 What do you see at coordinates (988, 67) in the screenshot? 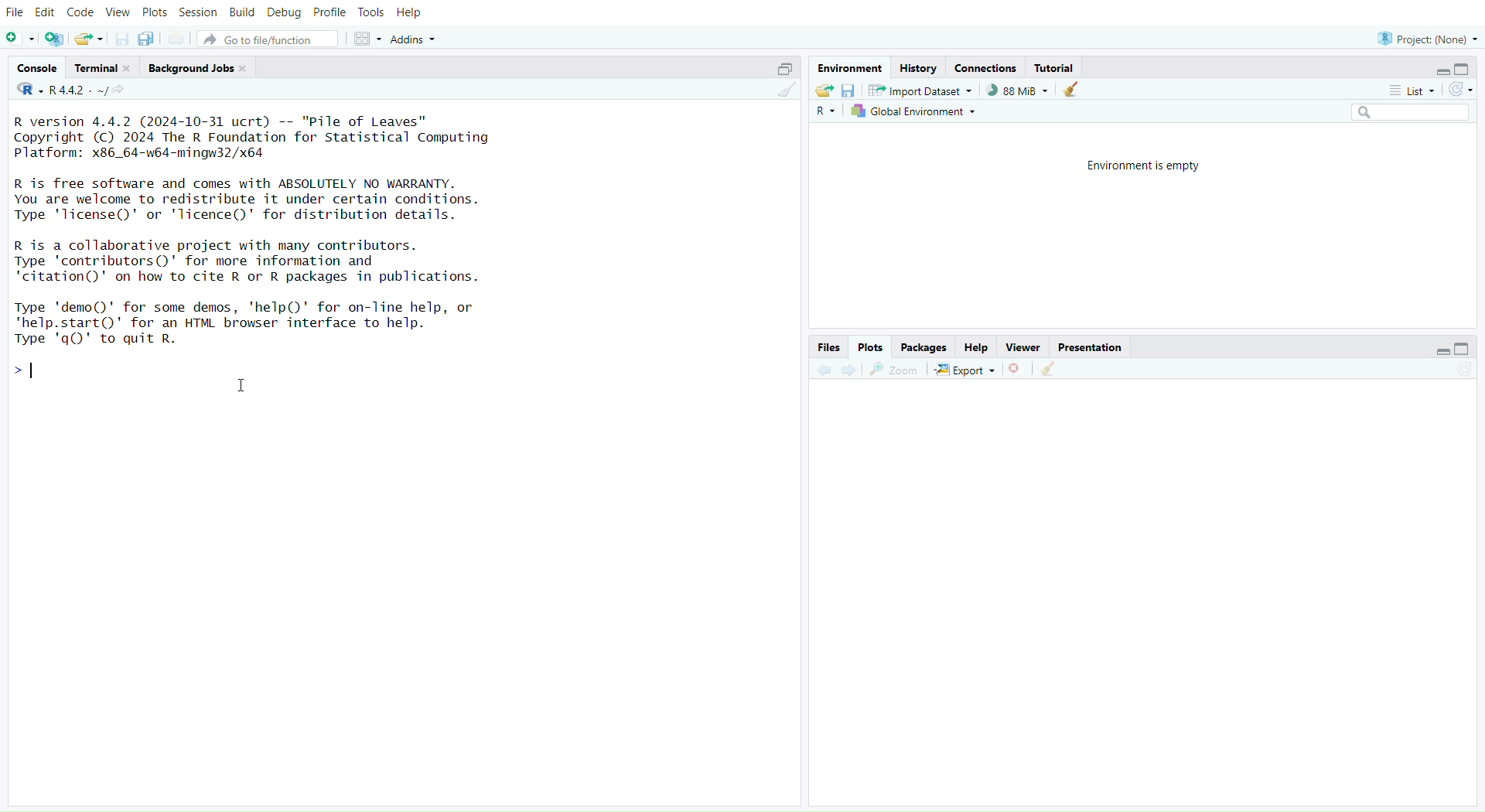
I see `connections` at bounding box center [988, 67].